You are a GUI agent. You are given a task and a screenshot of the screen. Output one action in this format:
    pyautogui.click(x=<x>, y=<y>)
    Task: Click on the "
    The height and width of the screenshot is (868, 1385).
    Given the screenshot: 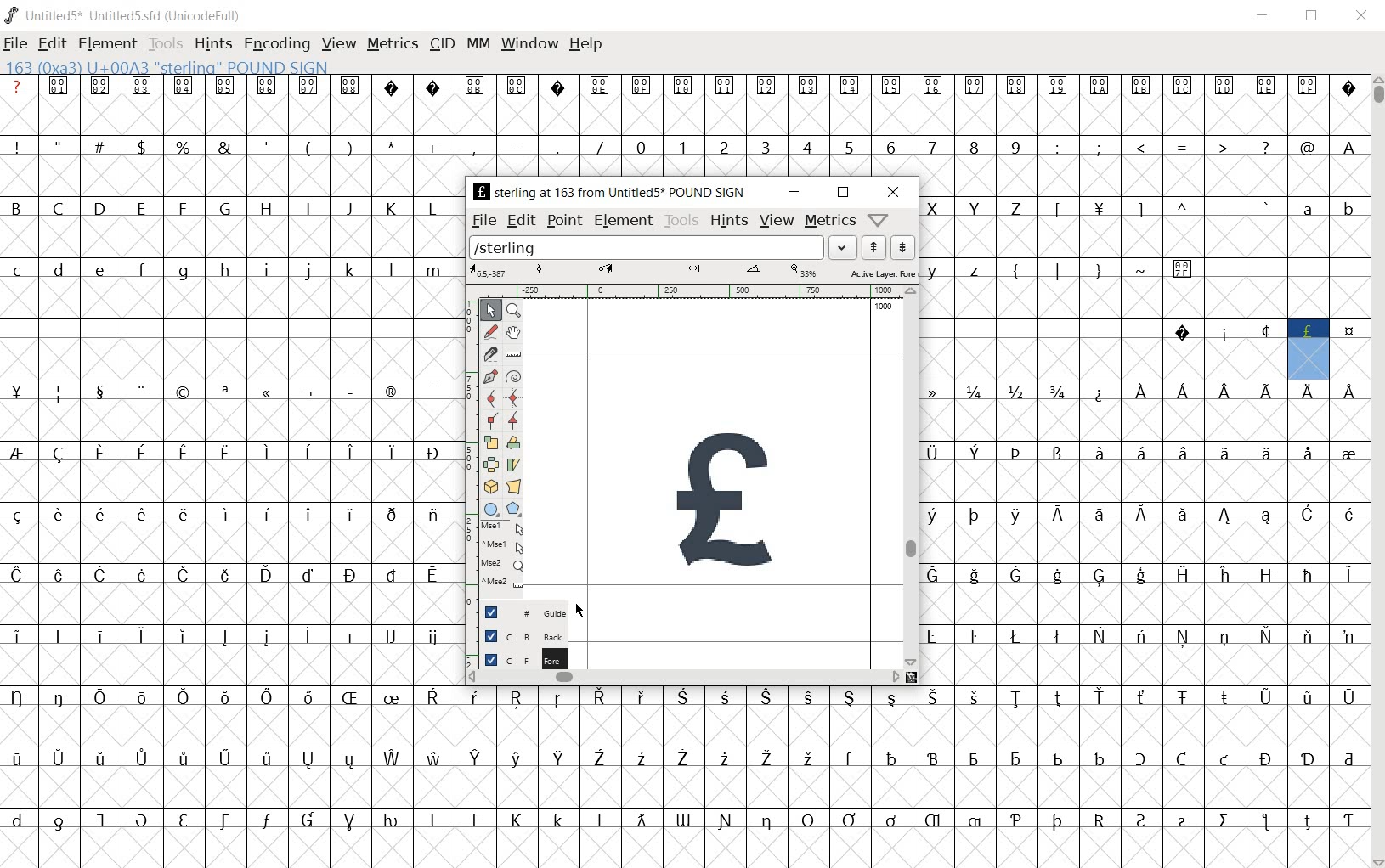 What is the action you would take?
    pyautogui.click(x=61, y=146)
    